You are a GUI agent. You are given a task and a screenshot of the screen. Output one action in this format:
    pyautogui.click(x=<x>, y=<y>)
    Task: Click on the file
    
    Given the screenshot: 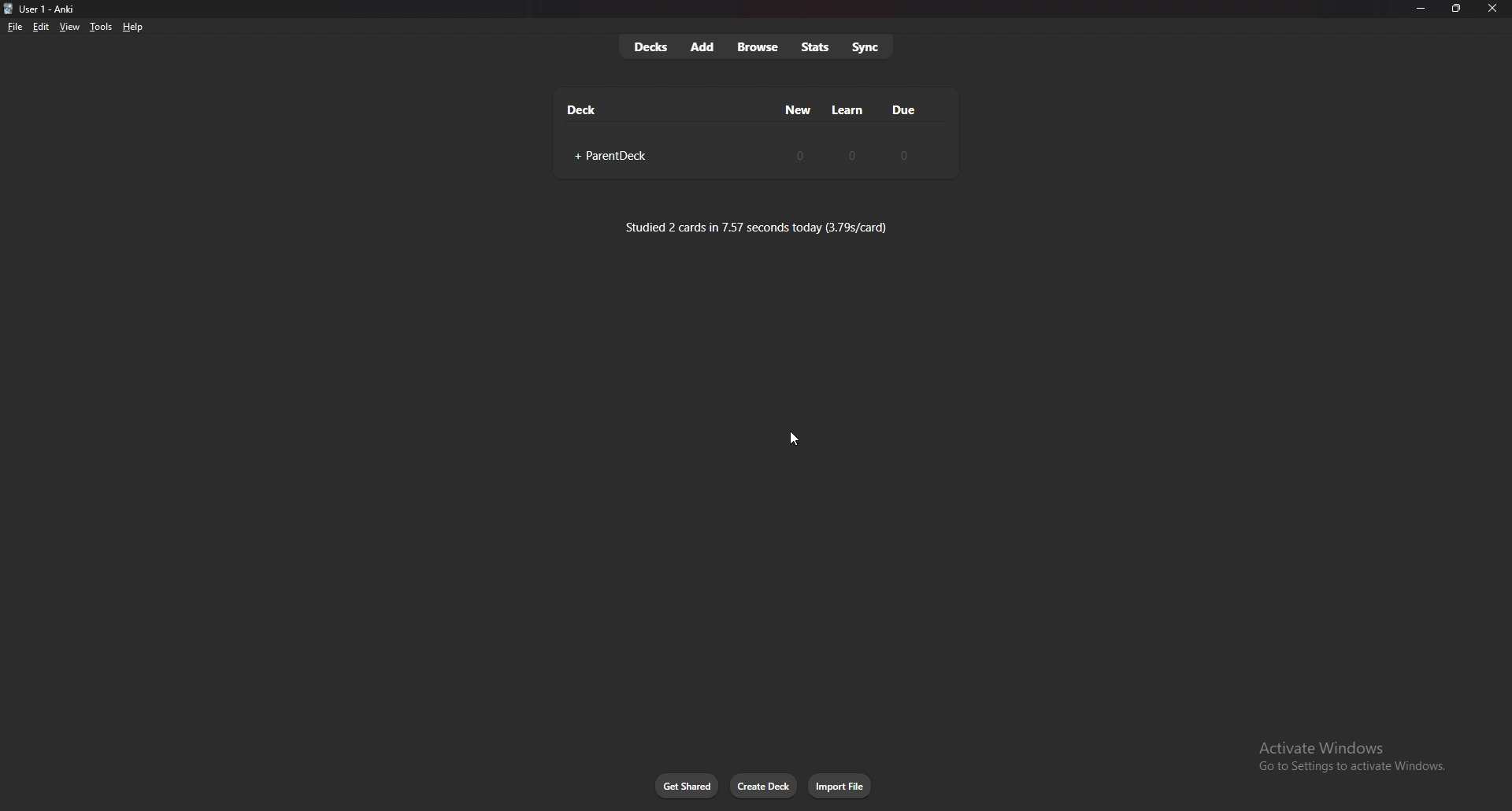 What is the action you would take?
    pyautogui.click(x=15, y=28)
    